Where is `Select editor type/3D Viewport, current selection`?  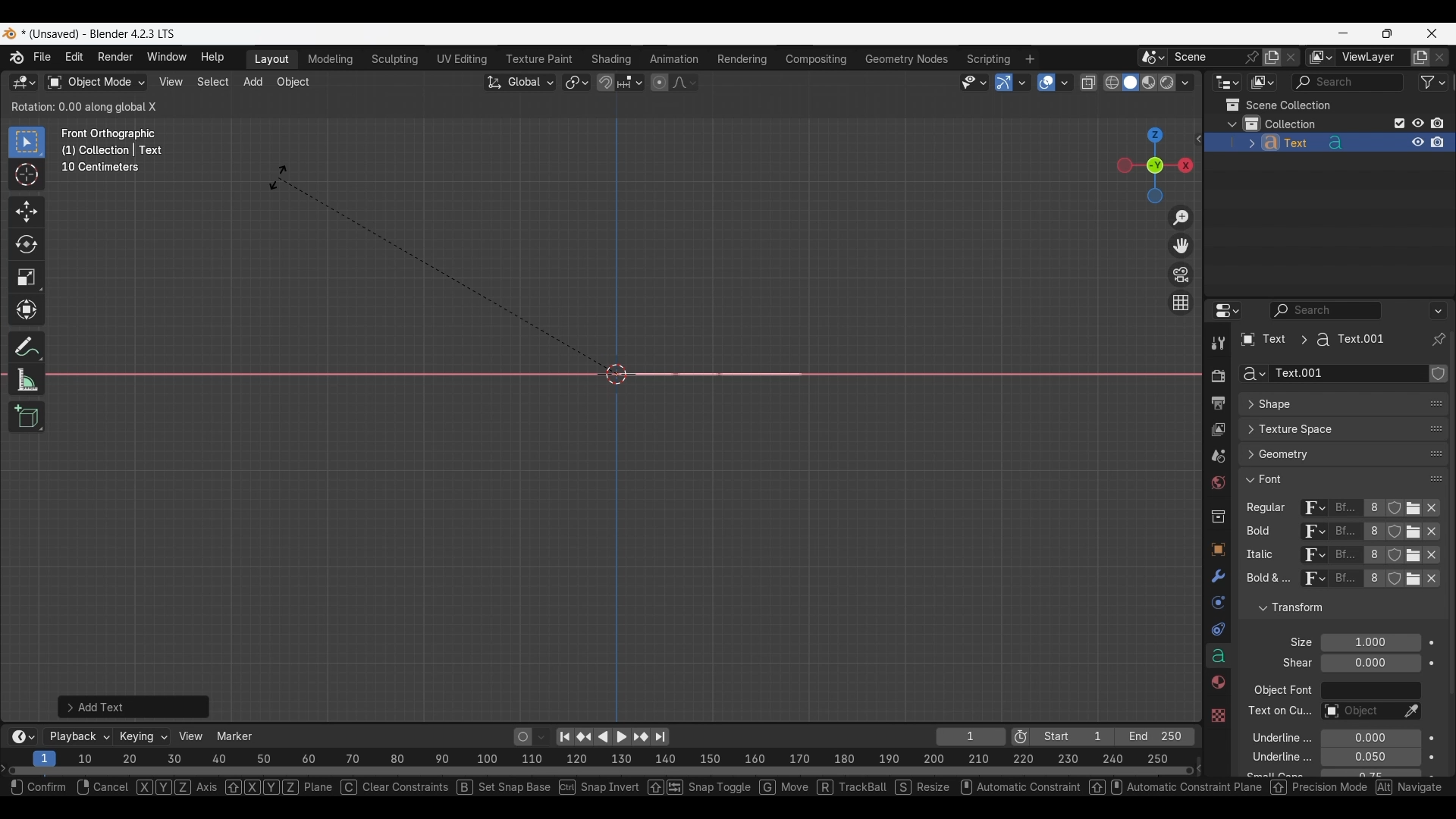 Select editor type/3D Viewport, current selection is located at coordinates (24, 82).